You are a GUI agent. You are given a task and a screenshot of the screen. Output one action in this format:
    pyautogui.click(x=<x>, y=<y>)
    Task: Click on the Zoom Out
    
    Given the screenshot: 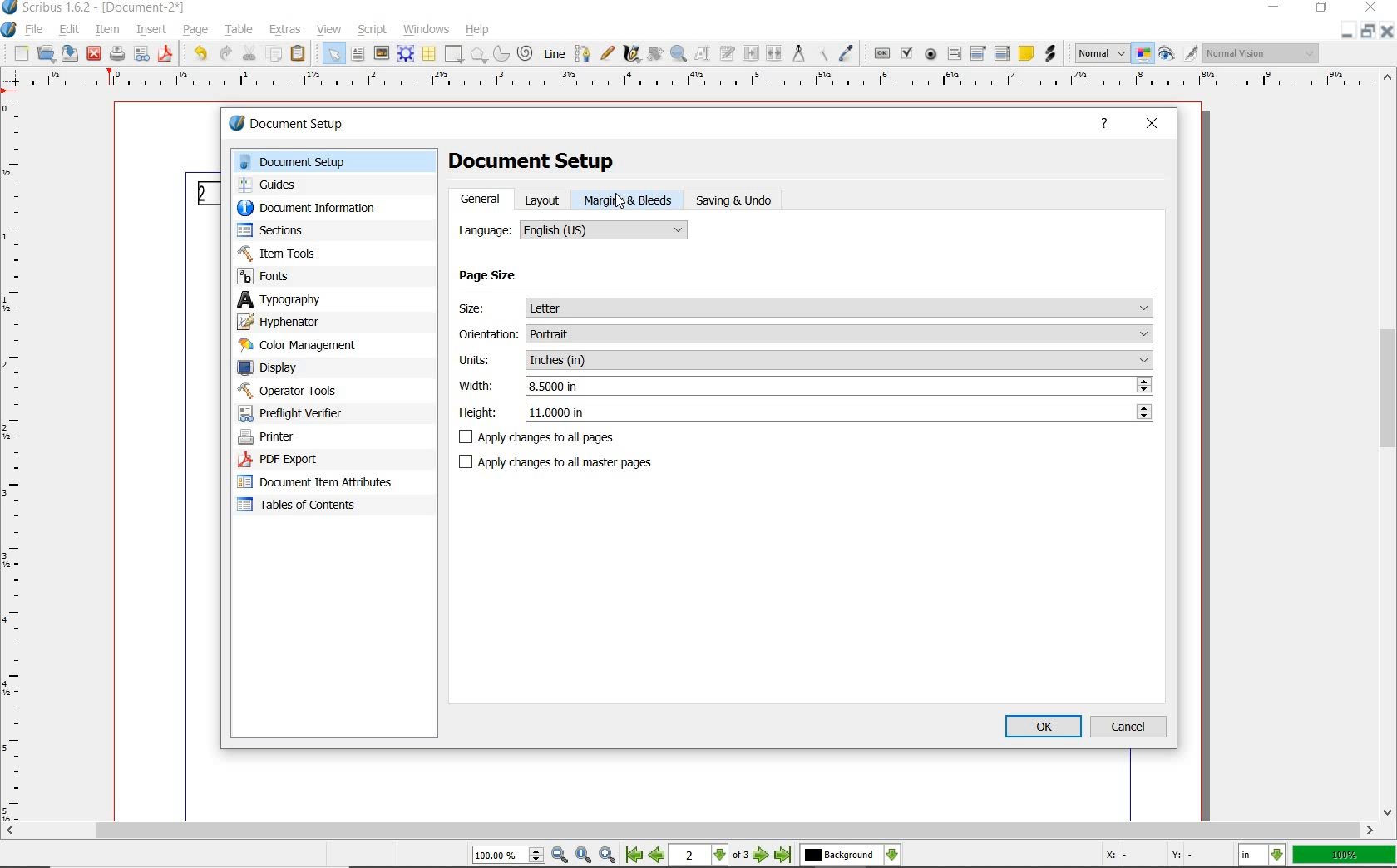 What is the action you would take?
    pyautogui.click(x=560, y=856)
    